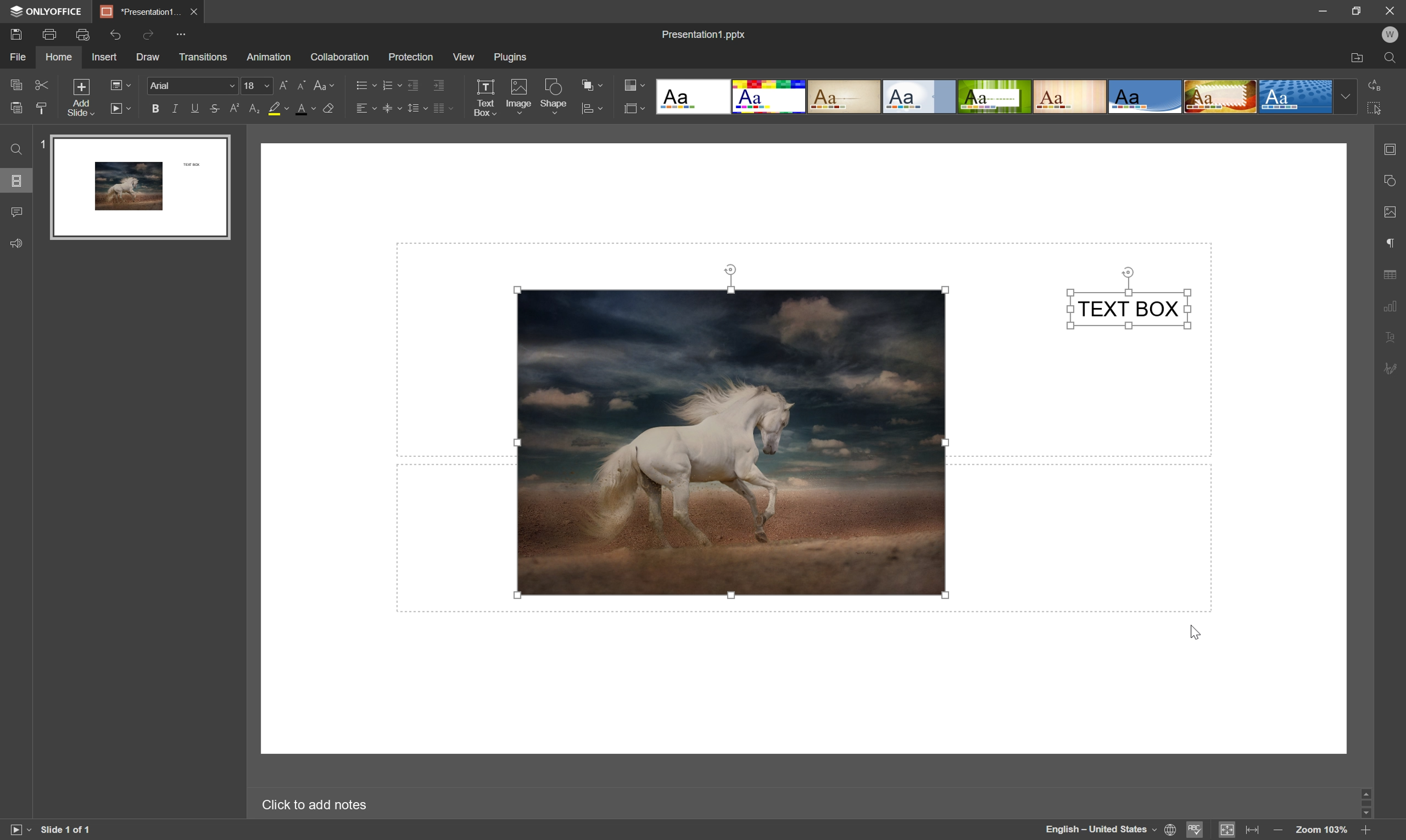 This screenshot has width=1406, height=840. I want to click on fit to slide, so click(1226, 831).